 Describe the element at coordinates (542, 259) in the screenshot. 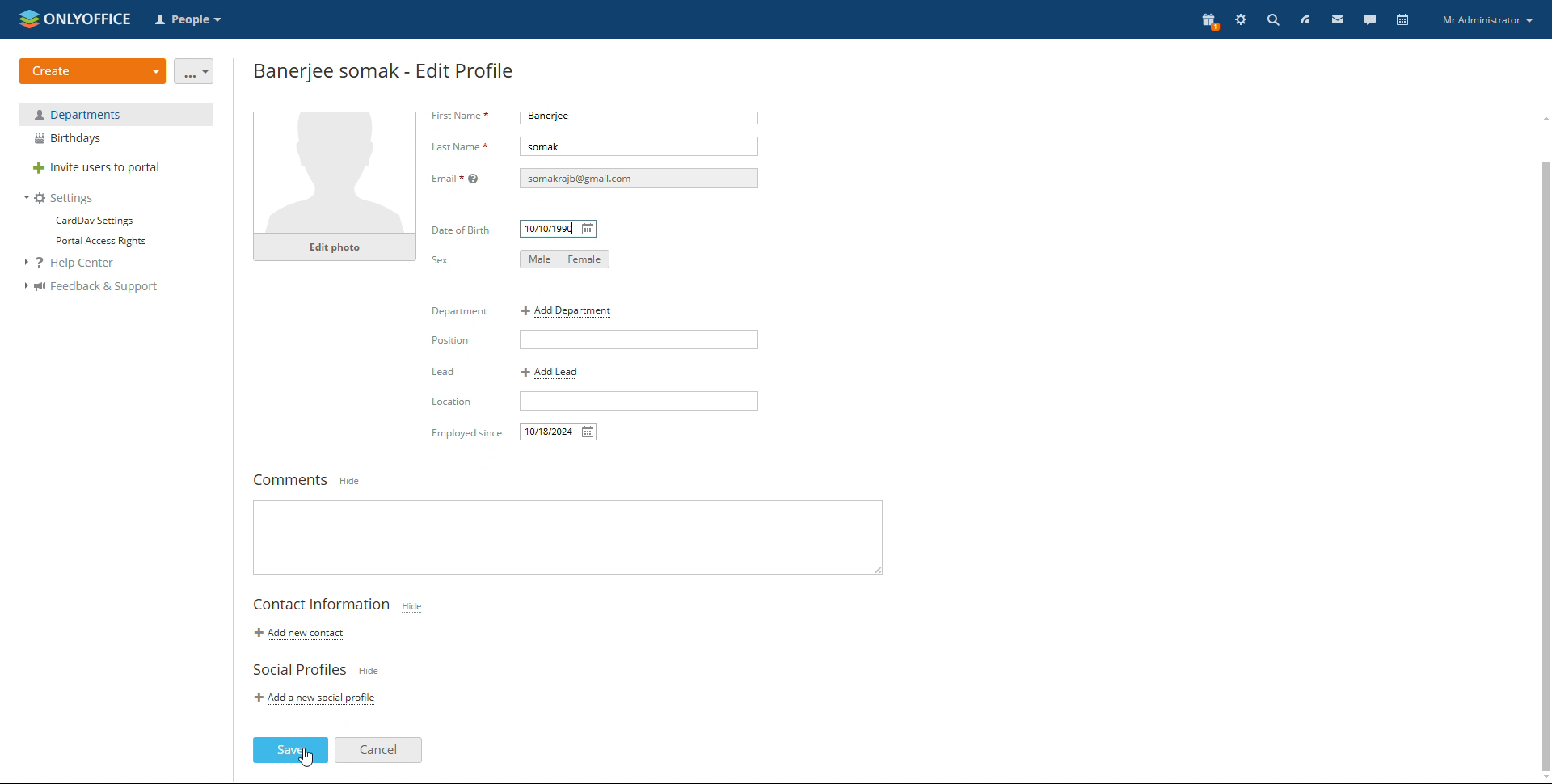

I see `male` at that location.